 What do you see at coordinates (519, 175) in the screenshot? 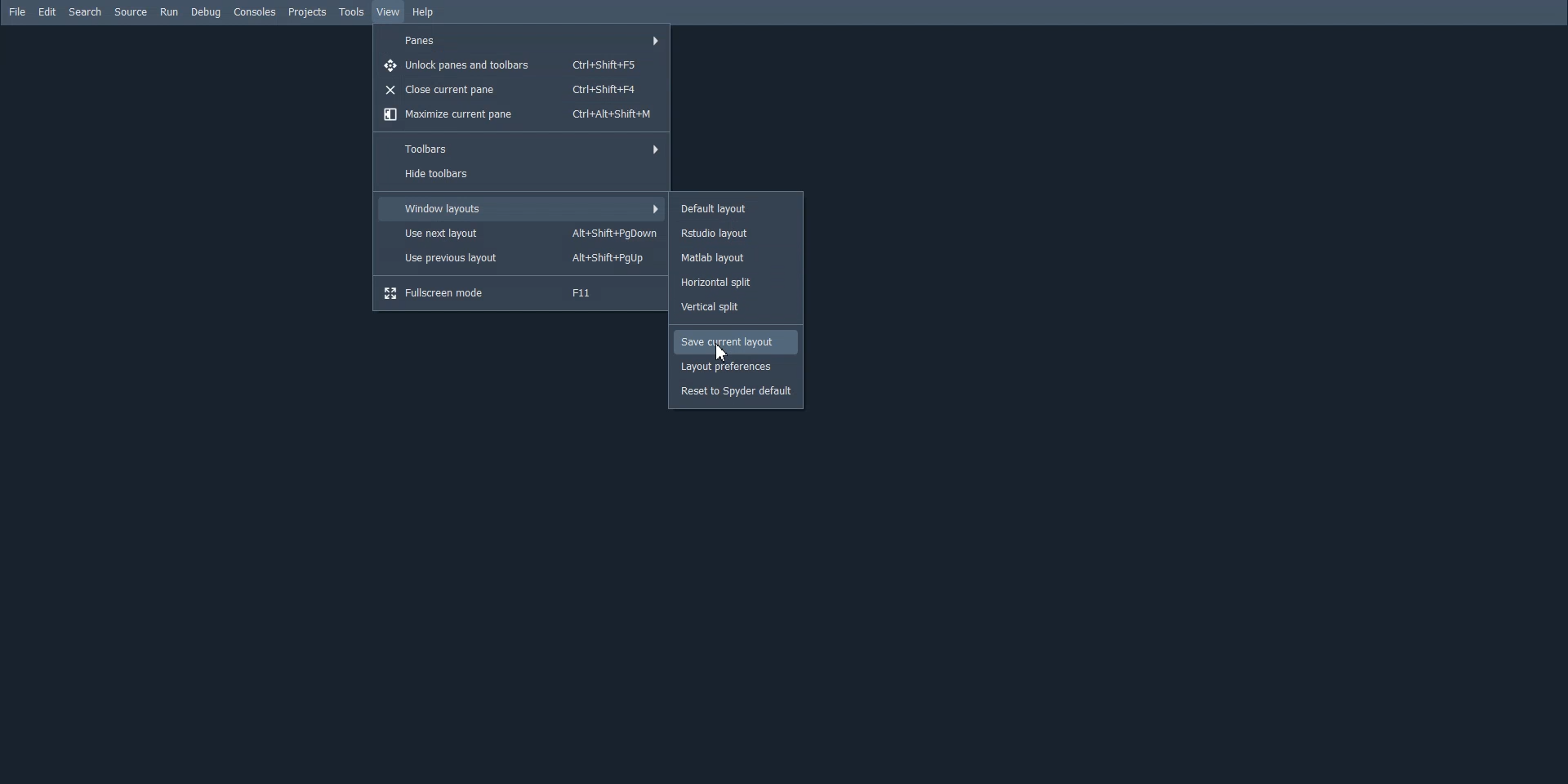
I see `Hide toolbars` at bounding box center [519, 175].